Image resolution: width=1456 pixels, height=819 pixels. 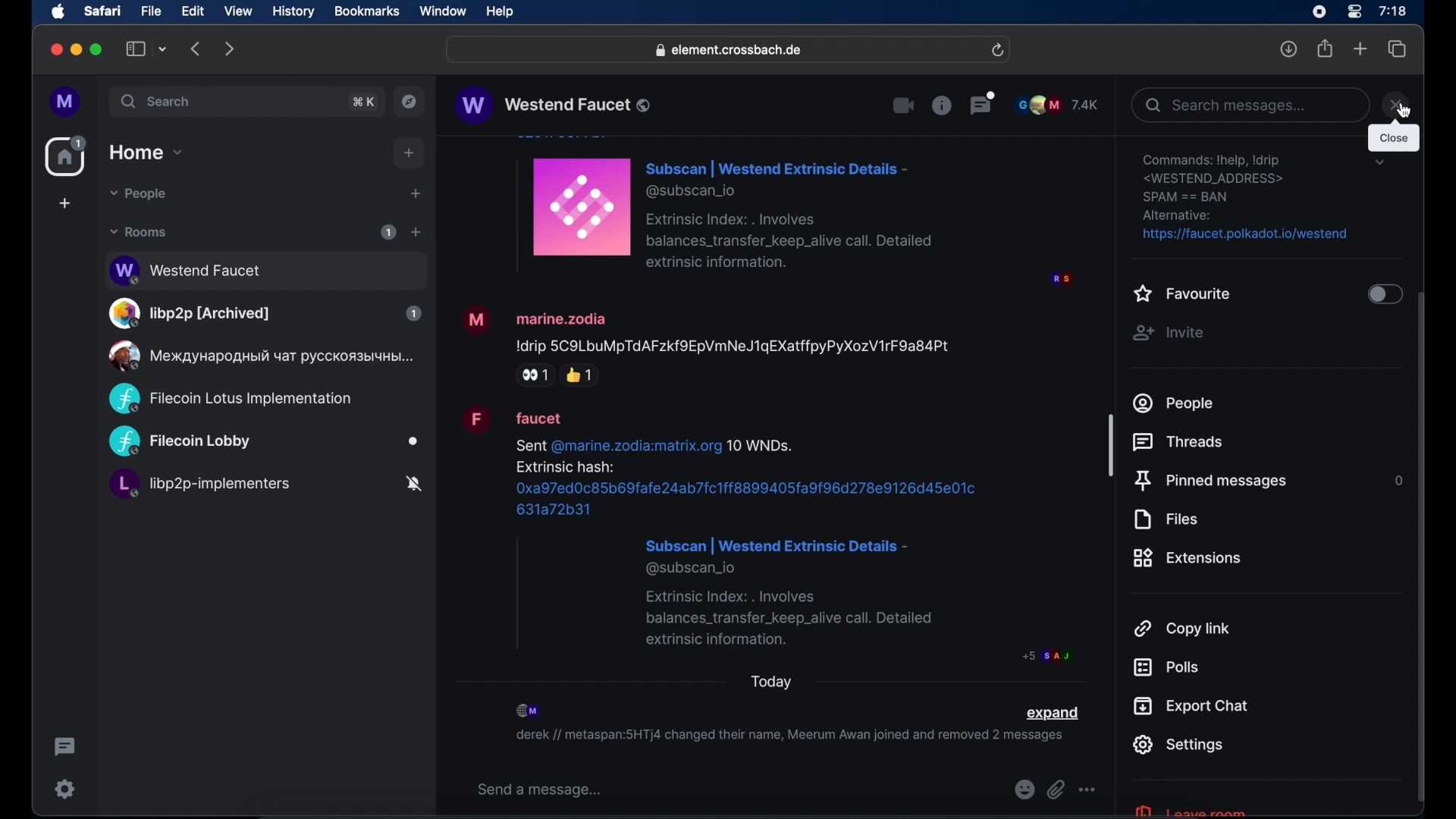 What do you see at coordinates (157, 101) in the screenshot?
I see `search` at bounding box center [157, 101].